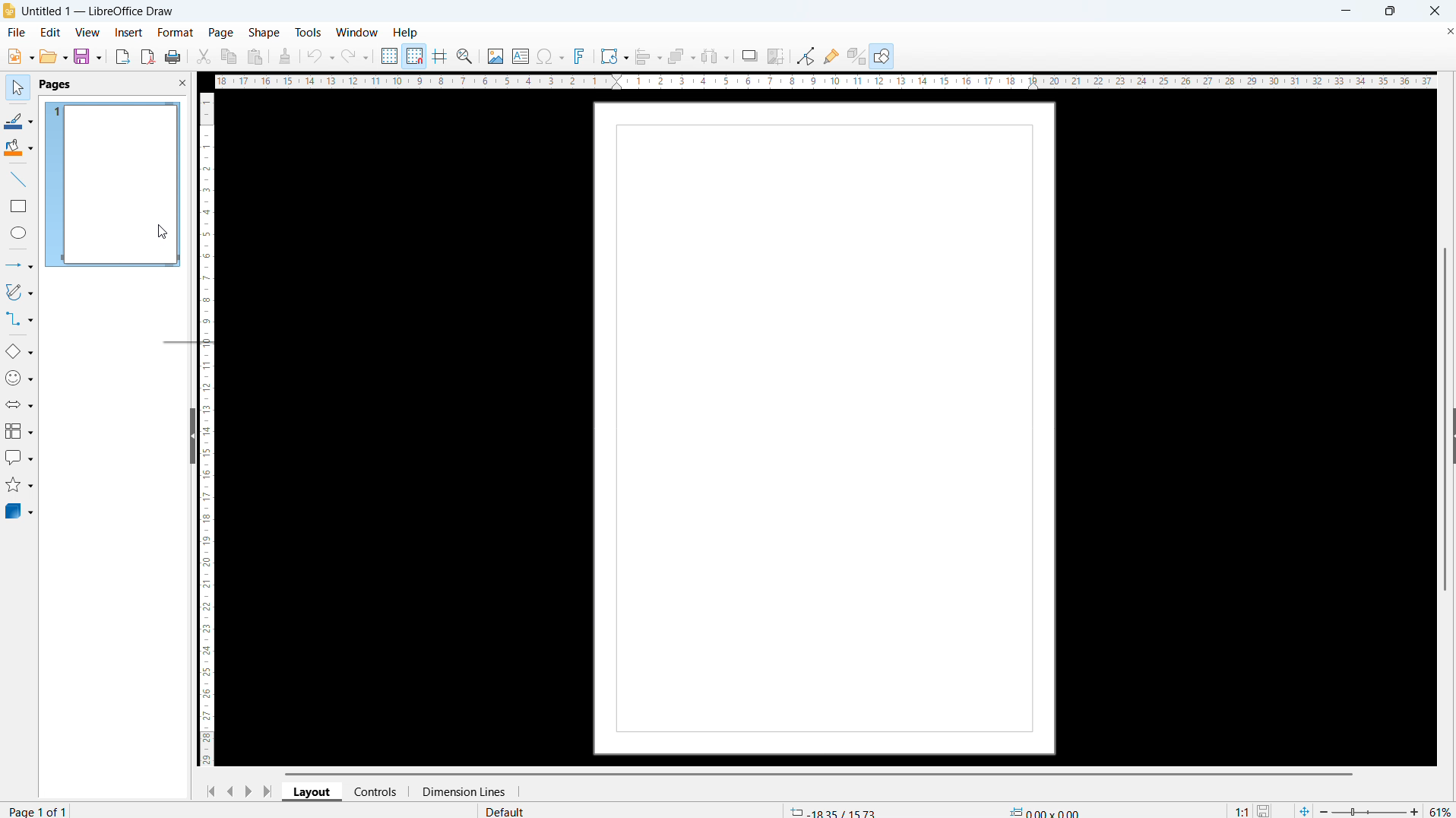  Describe the element at coordinates (182, 82) in the screenshot. I see `close pane` at that location.